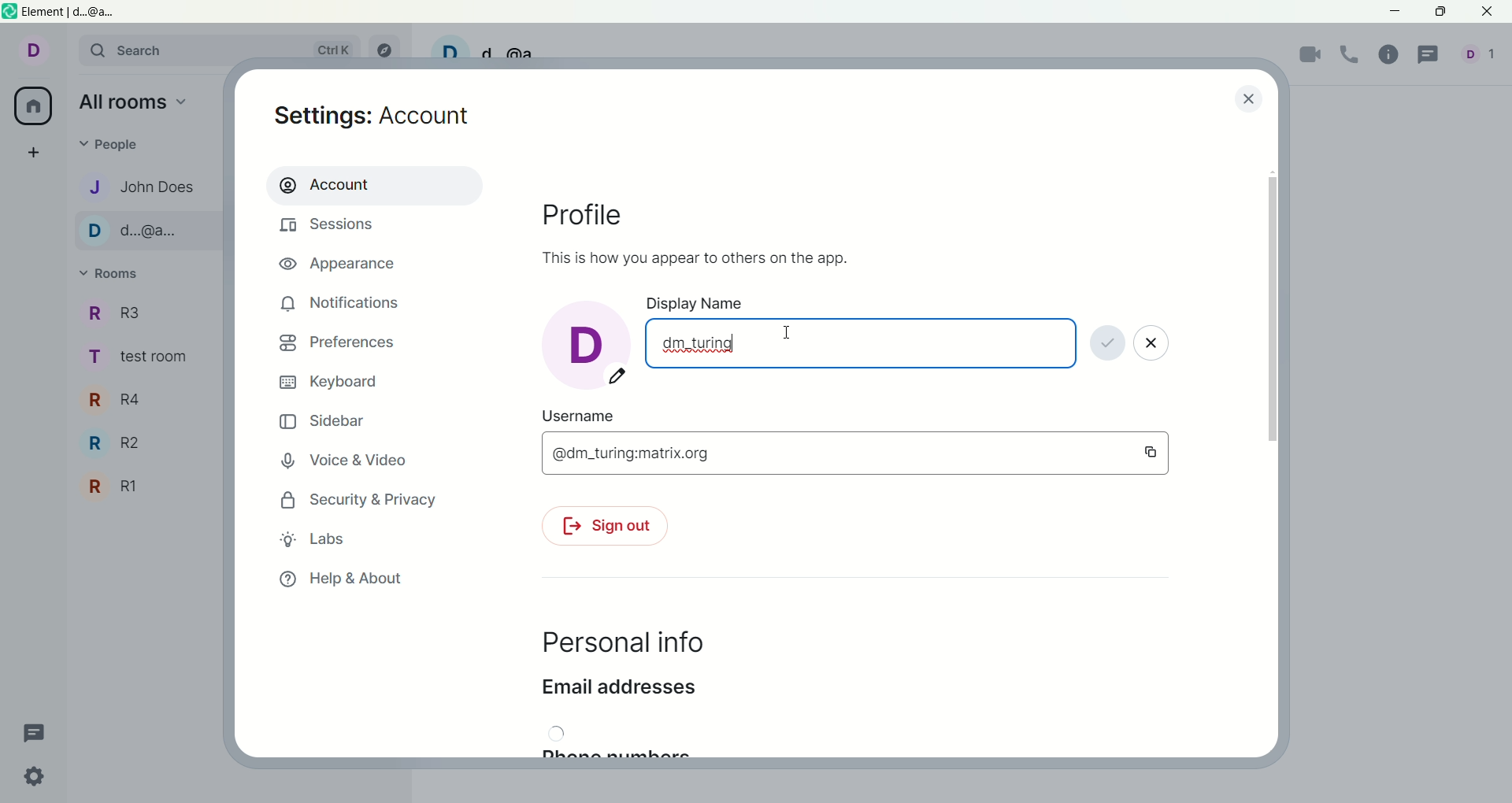 Image resolution: width=1512 pixels, height=803 pixels. What do you see at coordinates (42, 54) in the screenshot?
I see `account` at bounding box center [42, 54].